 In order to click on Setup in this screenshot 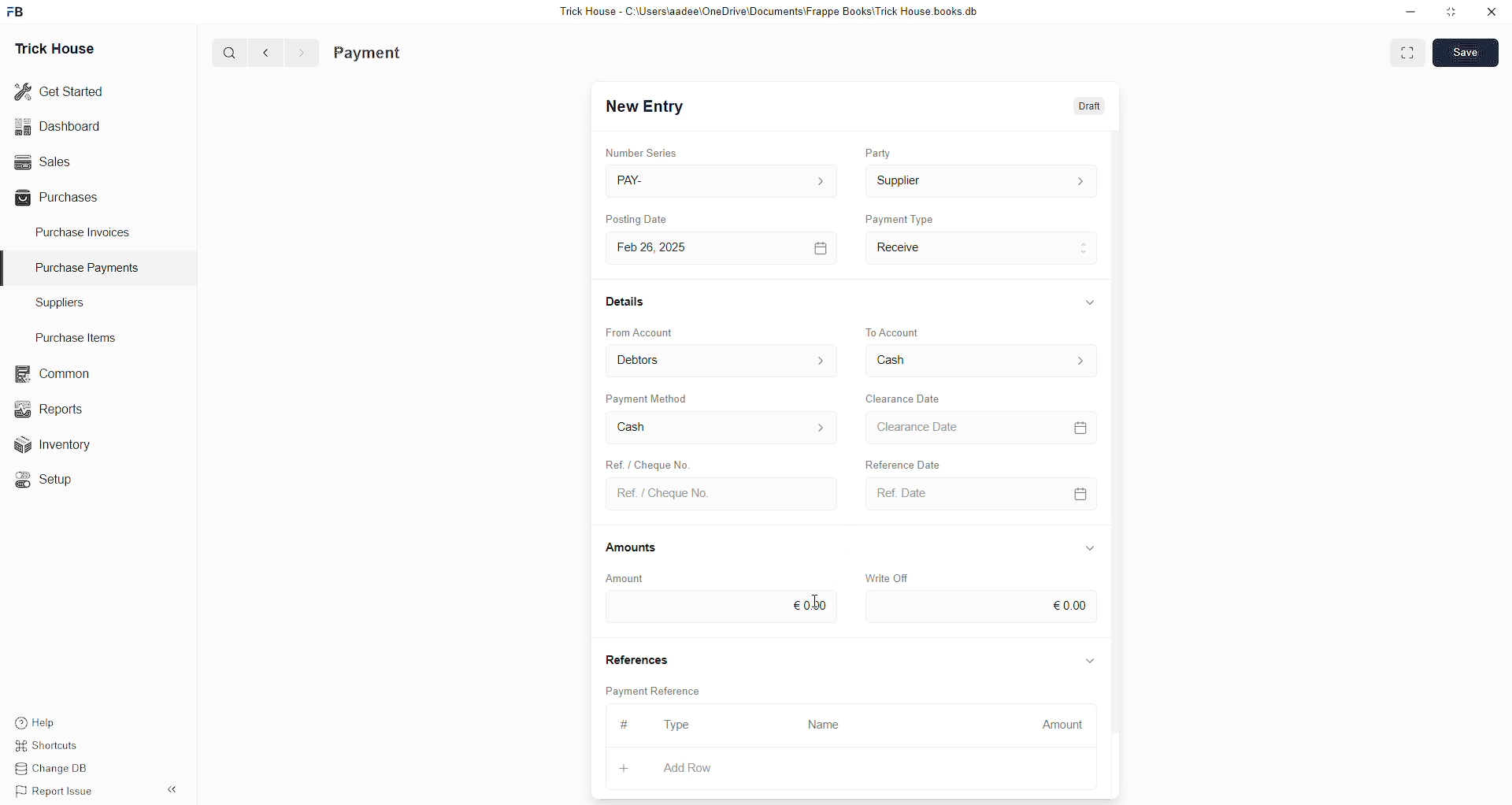, I will do `click(43, 478)`.